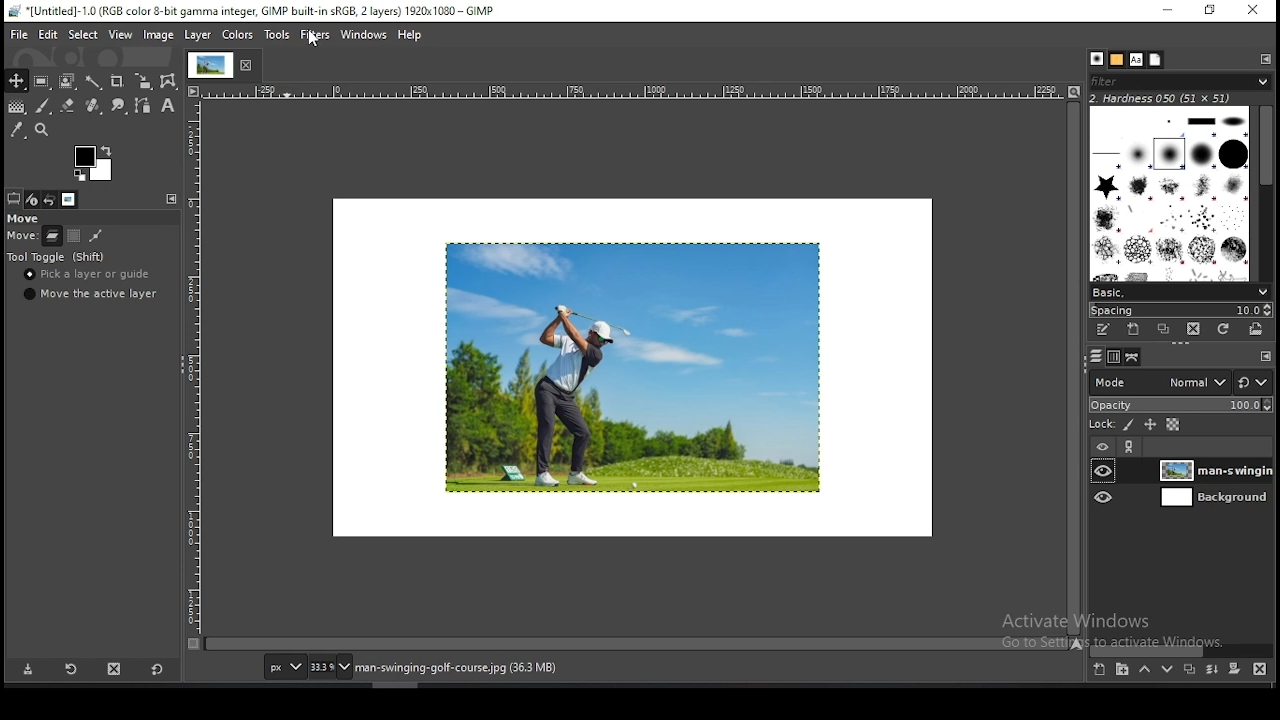 The image size is (1280, 720). Describe the element at coordinates (48, 199) in the screenshot. I see `undo history` at that location.